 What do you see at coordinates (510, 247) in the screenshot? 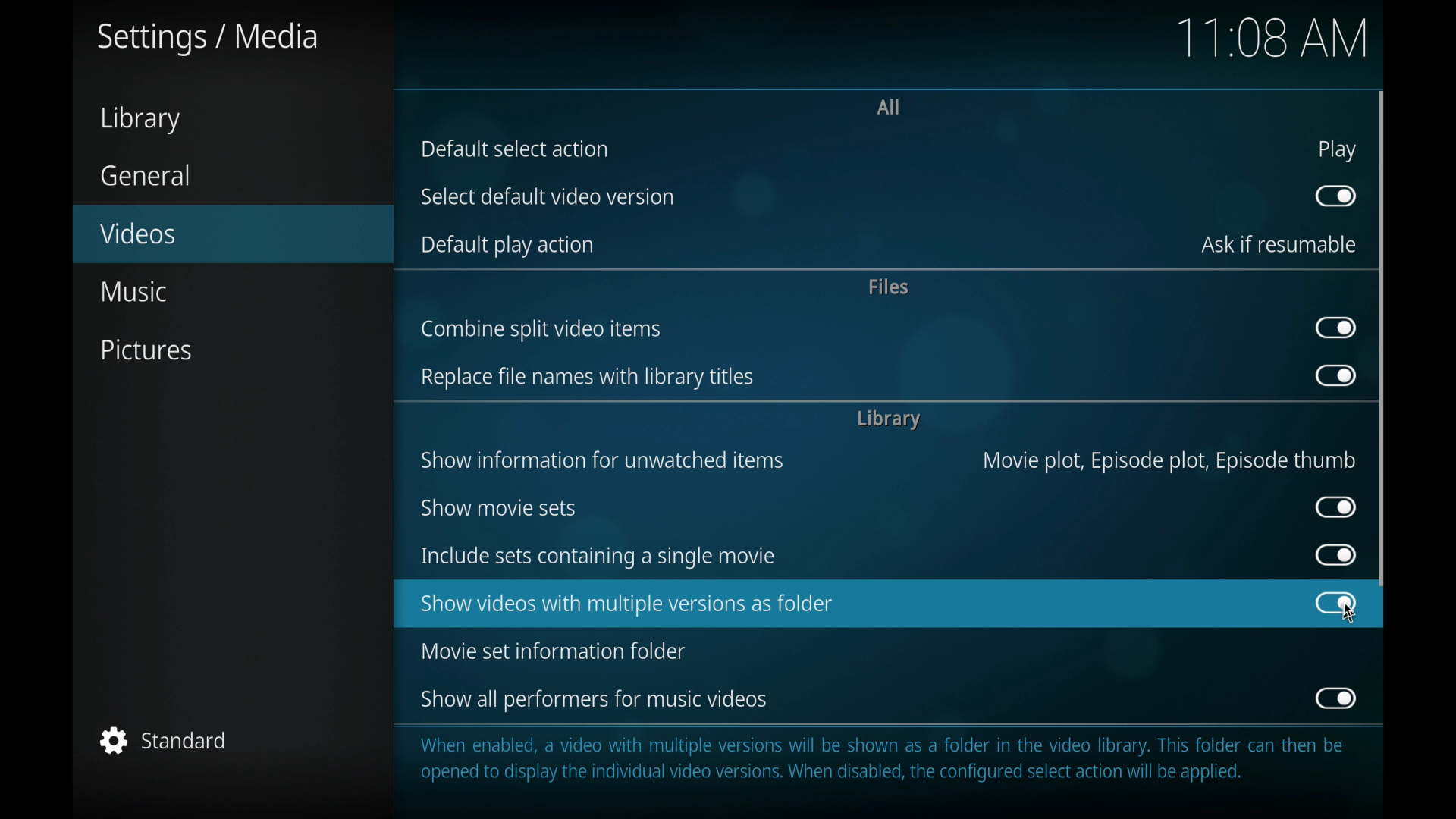
I see `default play action` at bounding box center [510, 247].